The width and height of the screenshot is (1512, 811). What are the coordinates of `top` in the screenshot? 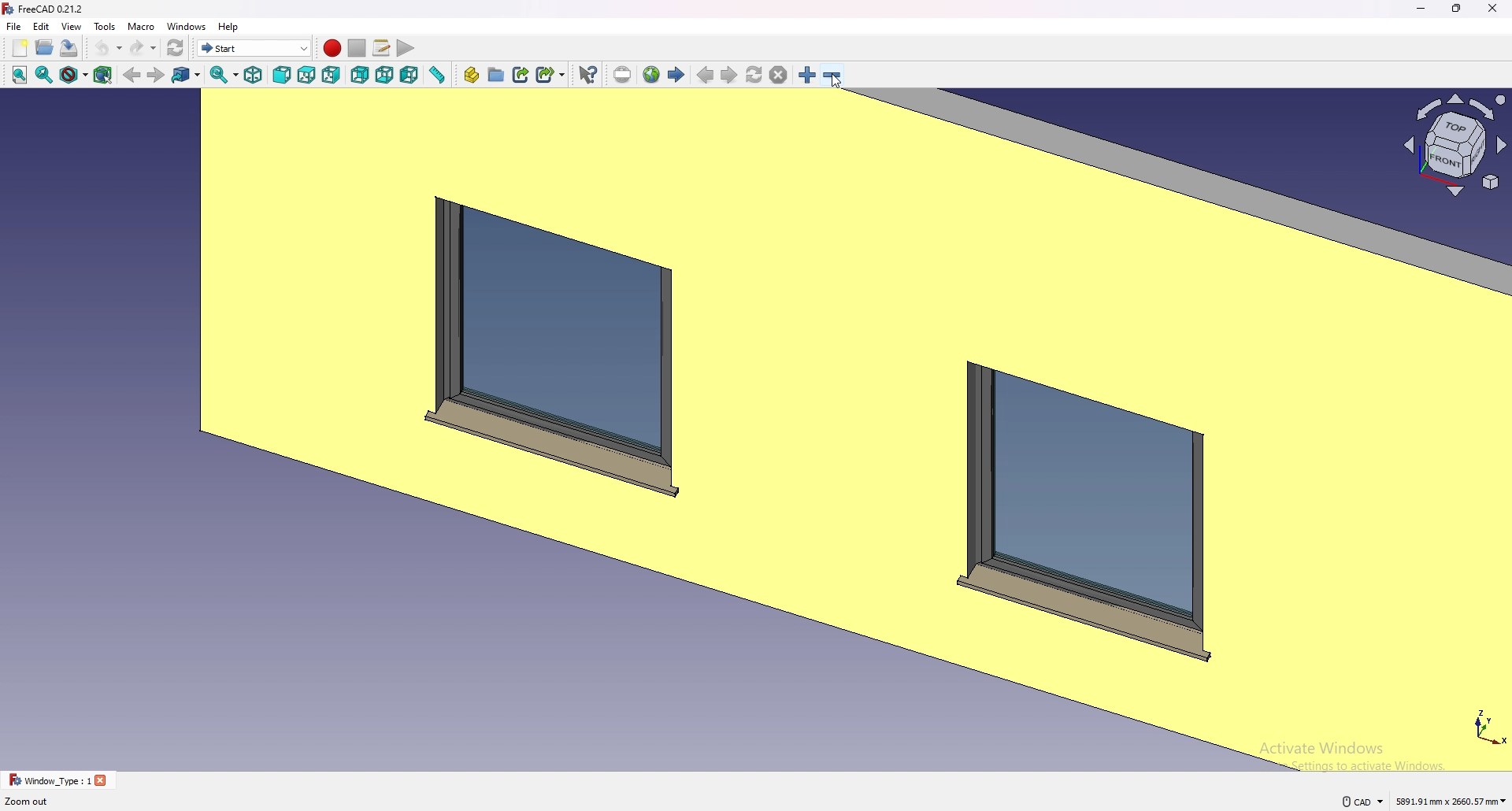 It's located at (307, 75).